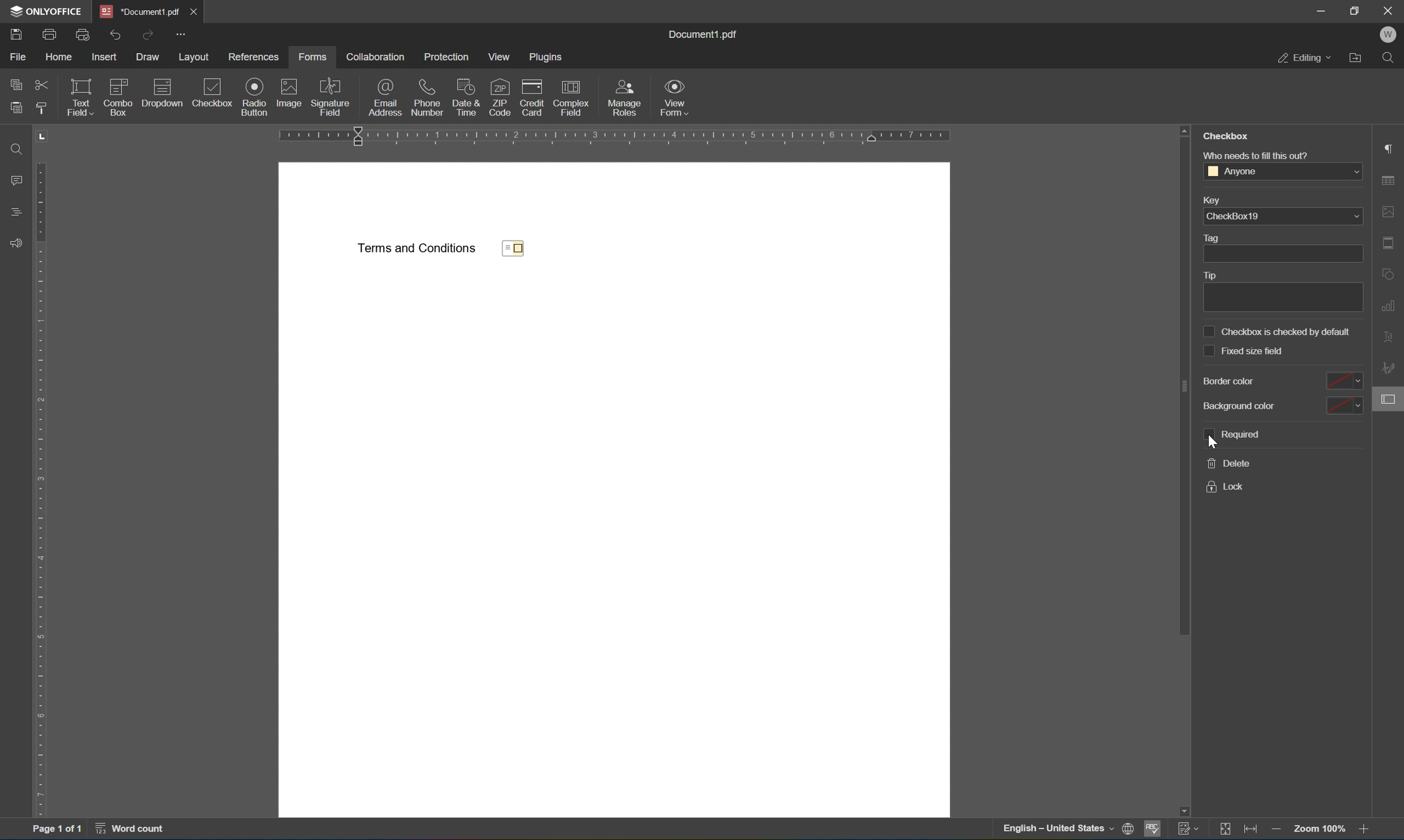 The image size is (1404, 840). What do you see at coordinates (288, 87) in the screenshot?
I see `icon` at bounding box center [288, 87].